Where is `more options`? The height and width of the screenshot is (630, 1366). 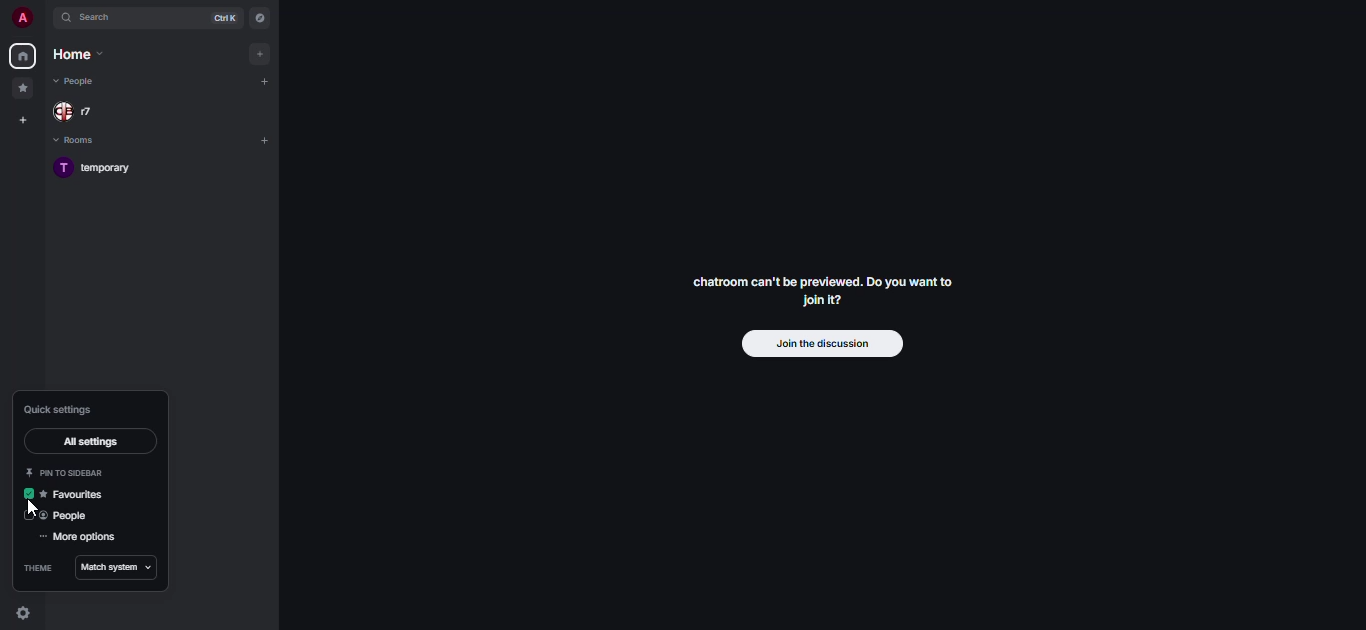 more options is located at coordinates (82, 538).